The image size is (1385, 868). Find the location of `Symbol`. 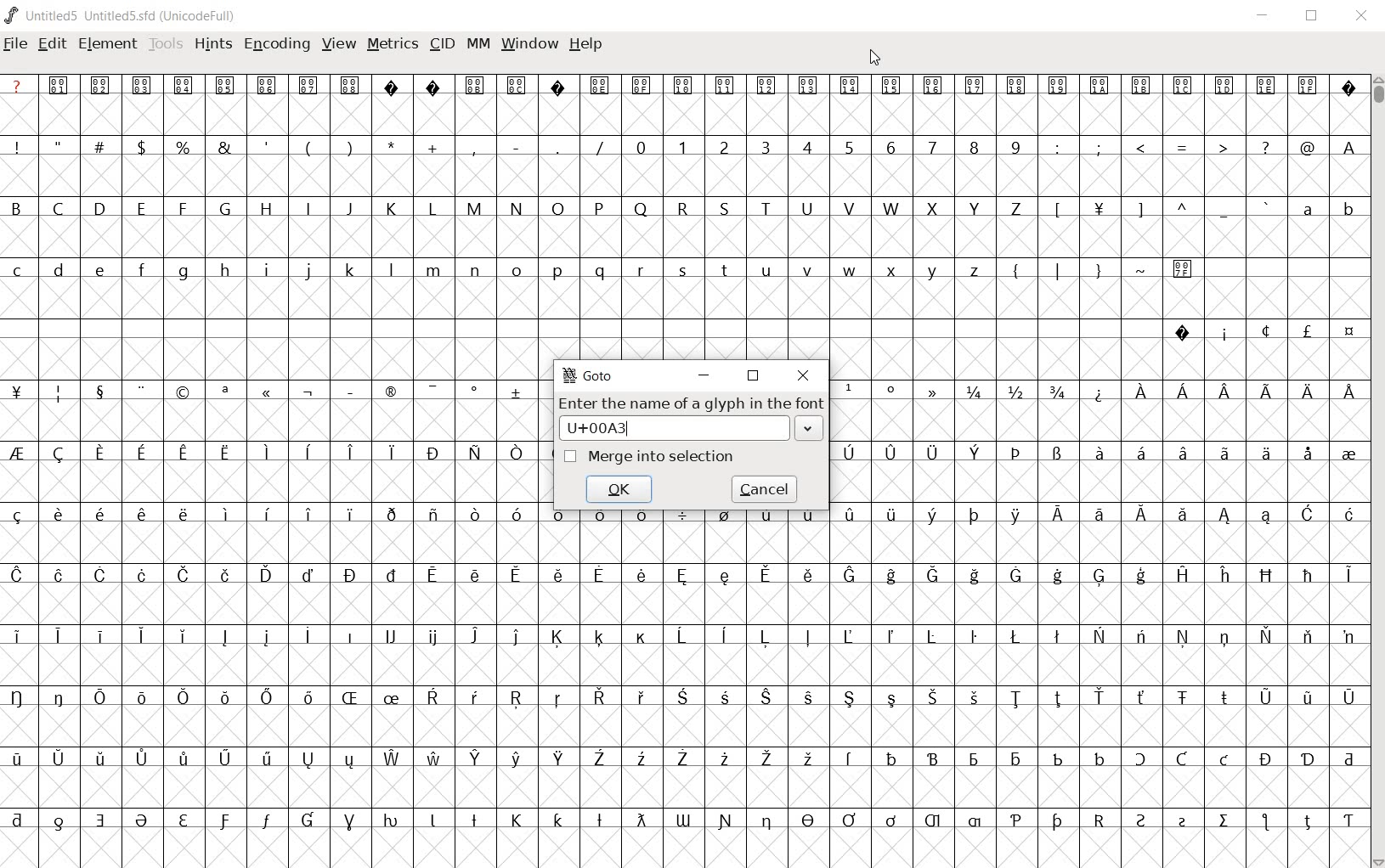

Symbol is located at coordinates (60, 820).